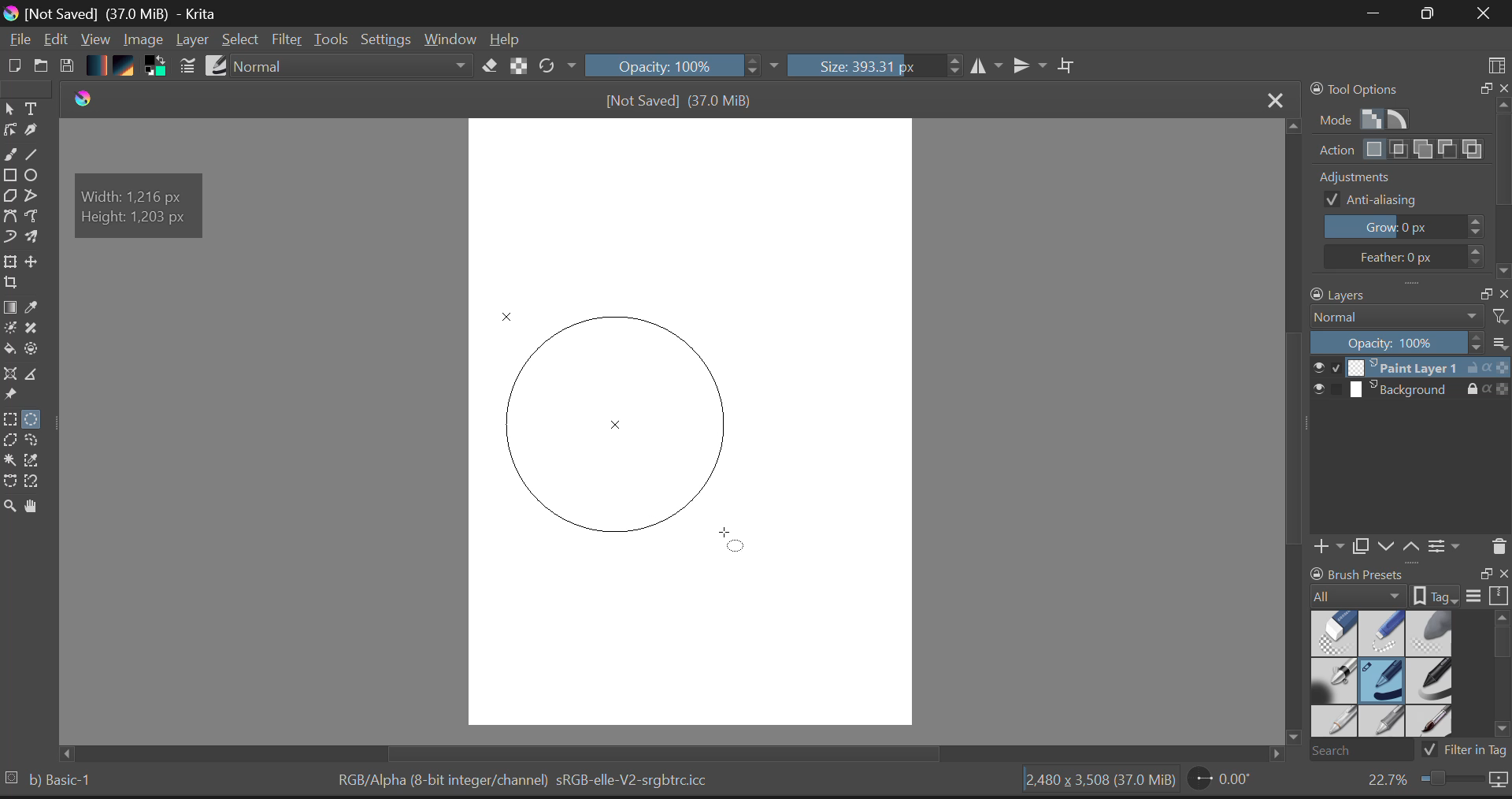 The height and width of the screenshot is (799, 1512). Describe the element at coordinates (117, 13) in the screenshot. I see `Window Title` at that location.